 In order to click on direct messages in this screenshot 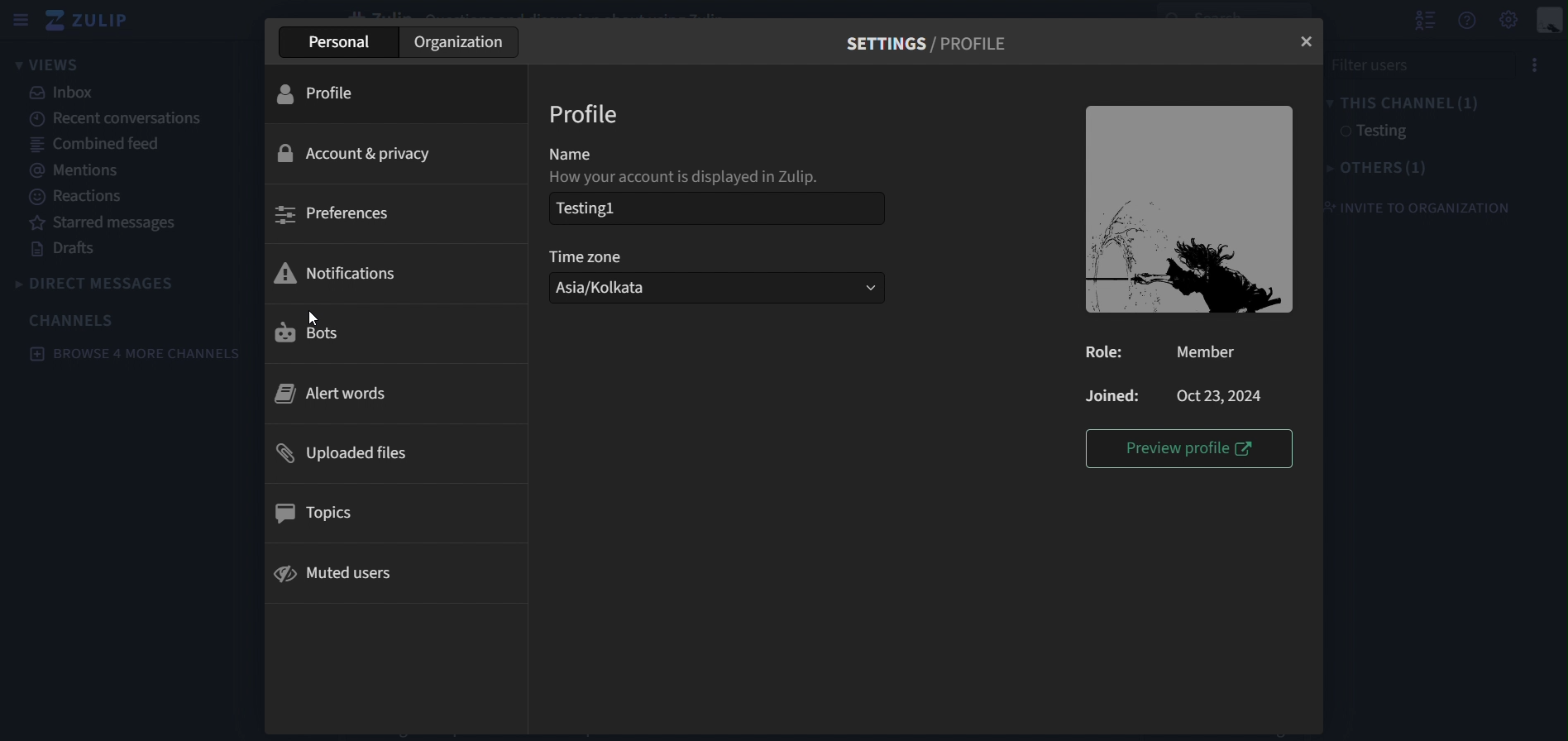, I will do `click(117, 283)`.